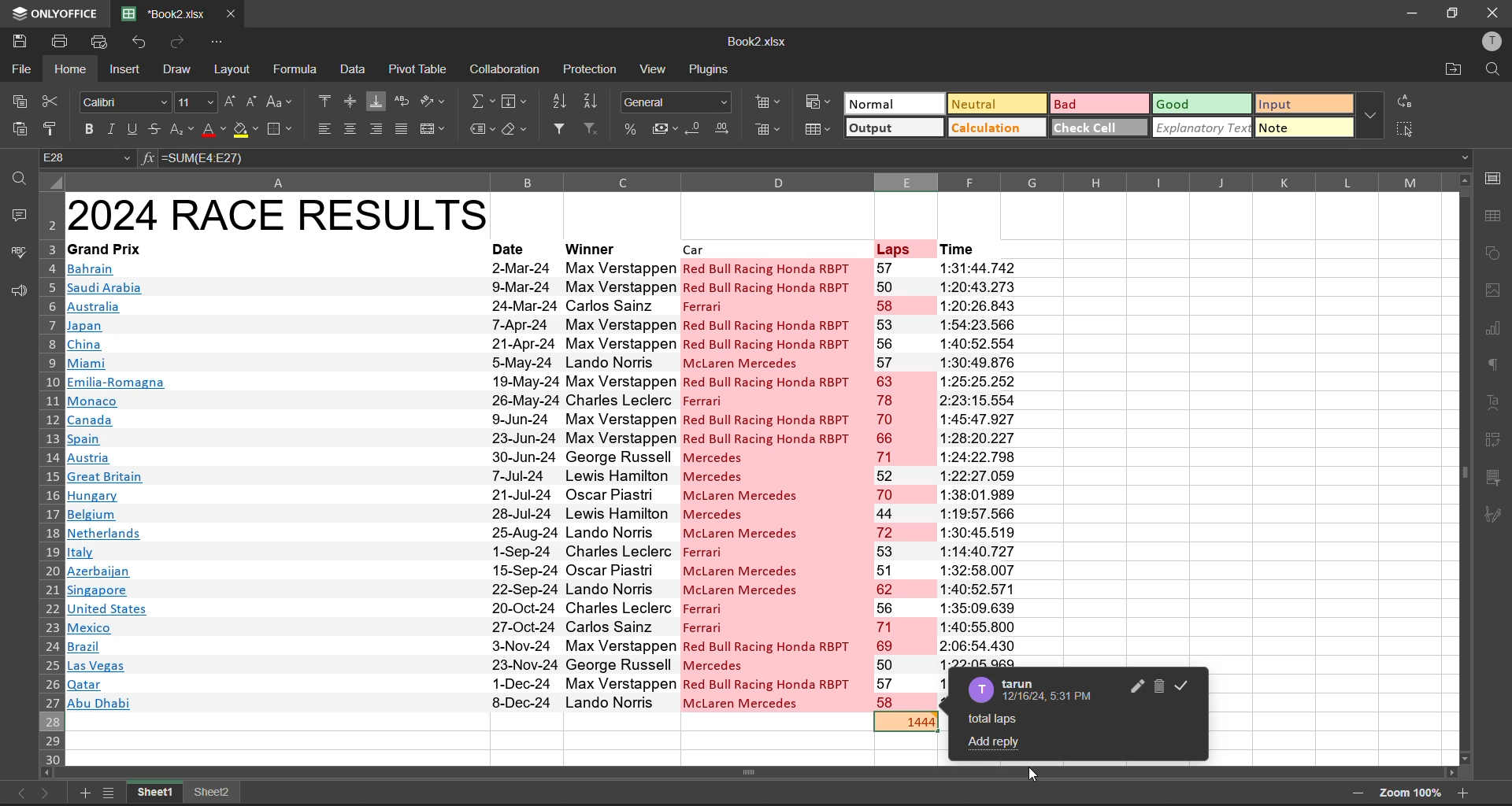  Describe the element at coordinates (124, 103) in the screenshot. I see `font style` at that location.